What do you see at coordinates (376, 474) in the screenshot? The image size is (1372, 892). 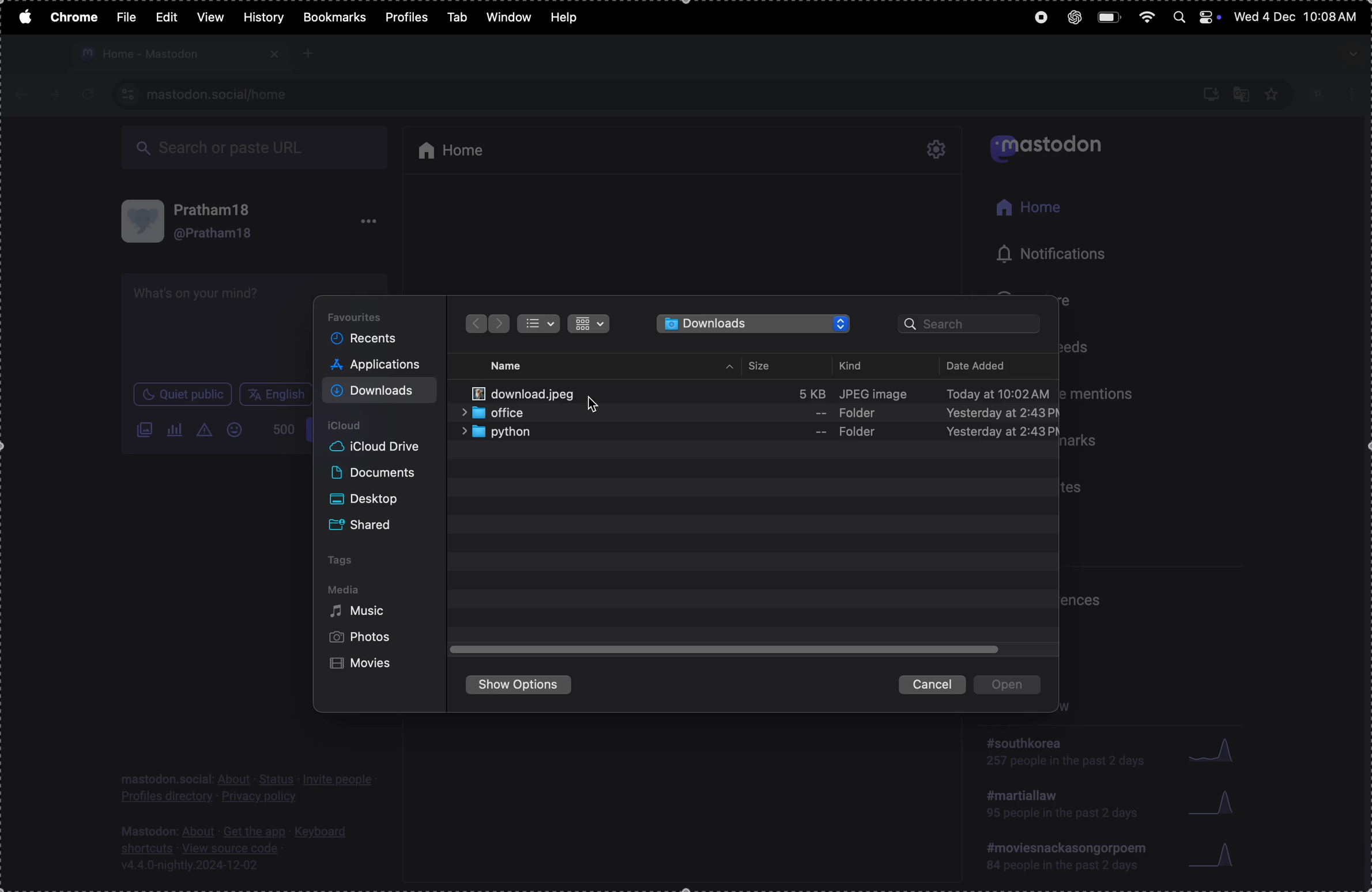 I see `Documents` at bounding box center [376, 474].